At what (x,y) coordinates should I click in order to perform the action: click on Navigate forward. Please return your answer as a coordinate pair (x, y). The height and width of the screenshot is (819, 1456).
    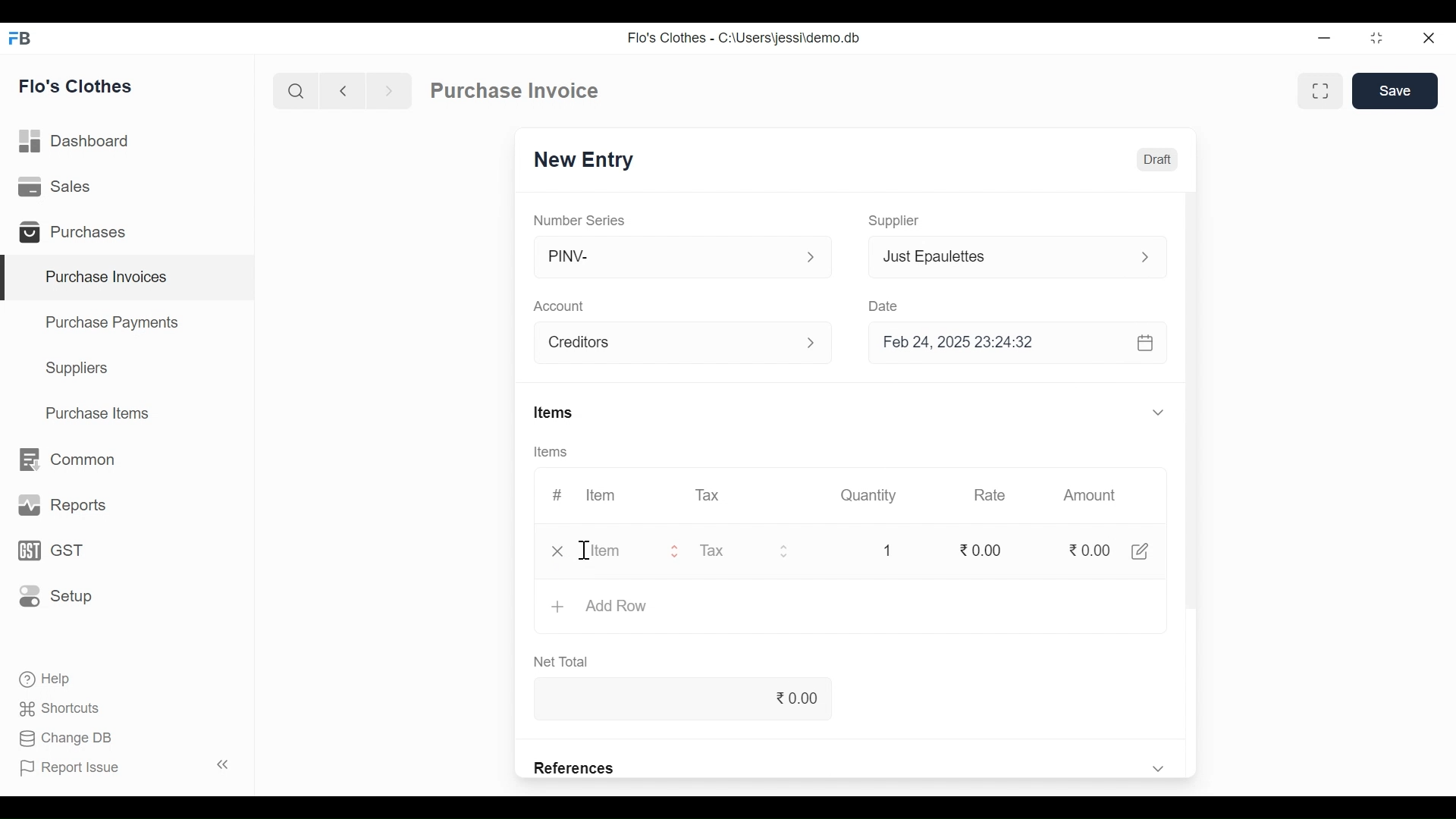
    Looking at the image, I should click on (388, 91).